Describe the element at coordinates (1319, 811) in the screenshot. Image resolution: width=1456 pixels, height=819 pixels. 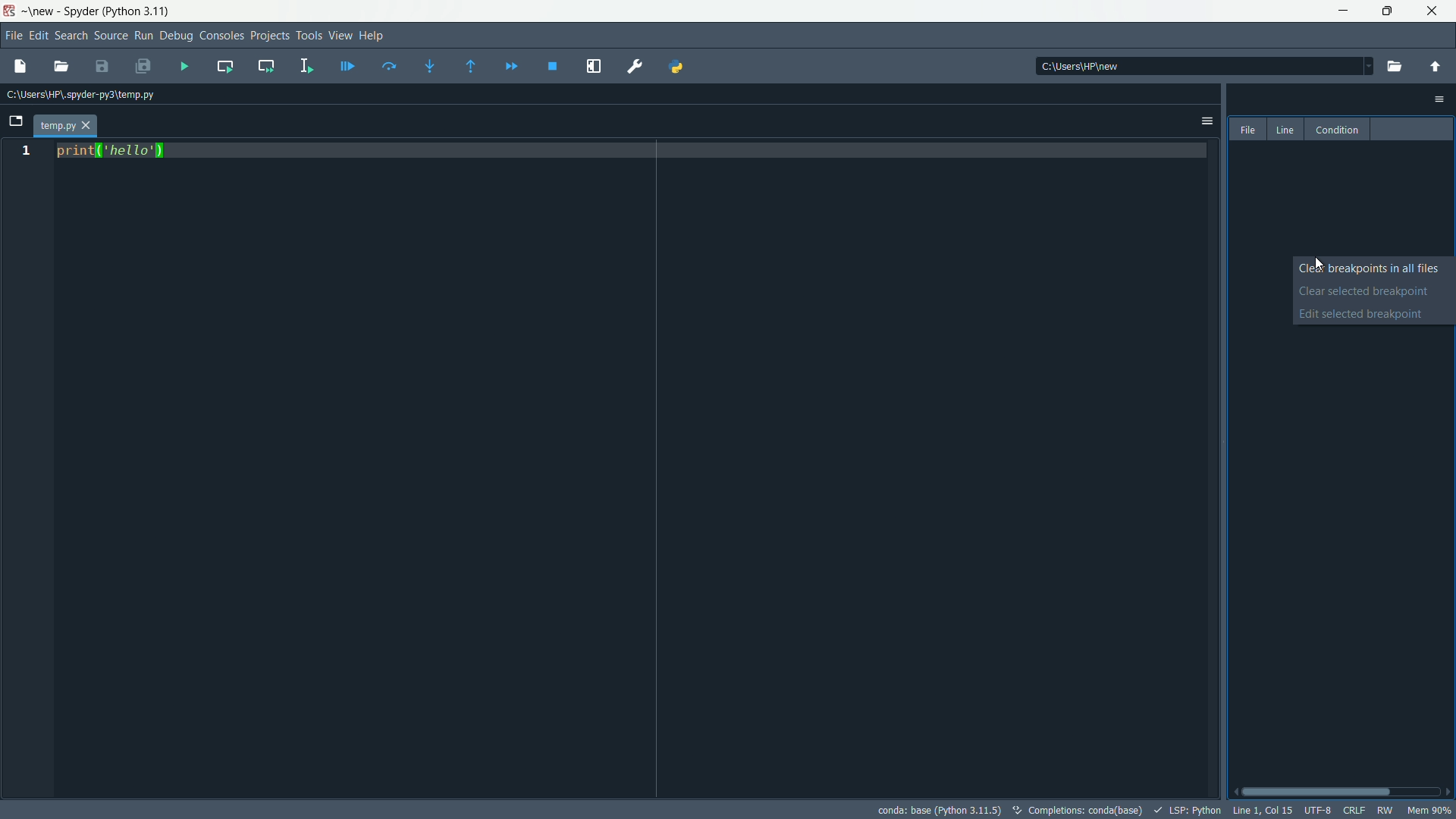
I see `file encoding` at that location.